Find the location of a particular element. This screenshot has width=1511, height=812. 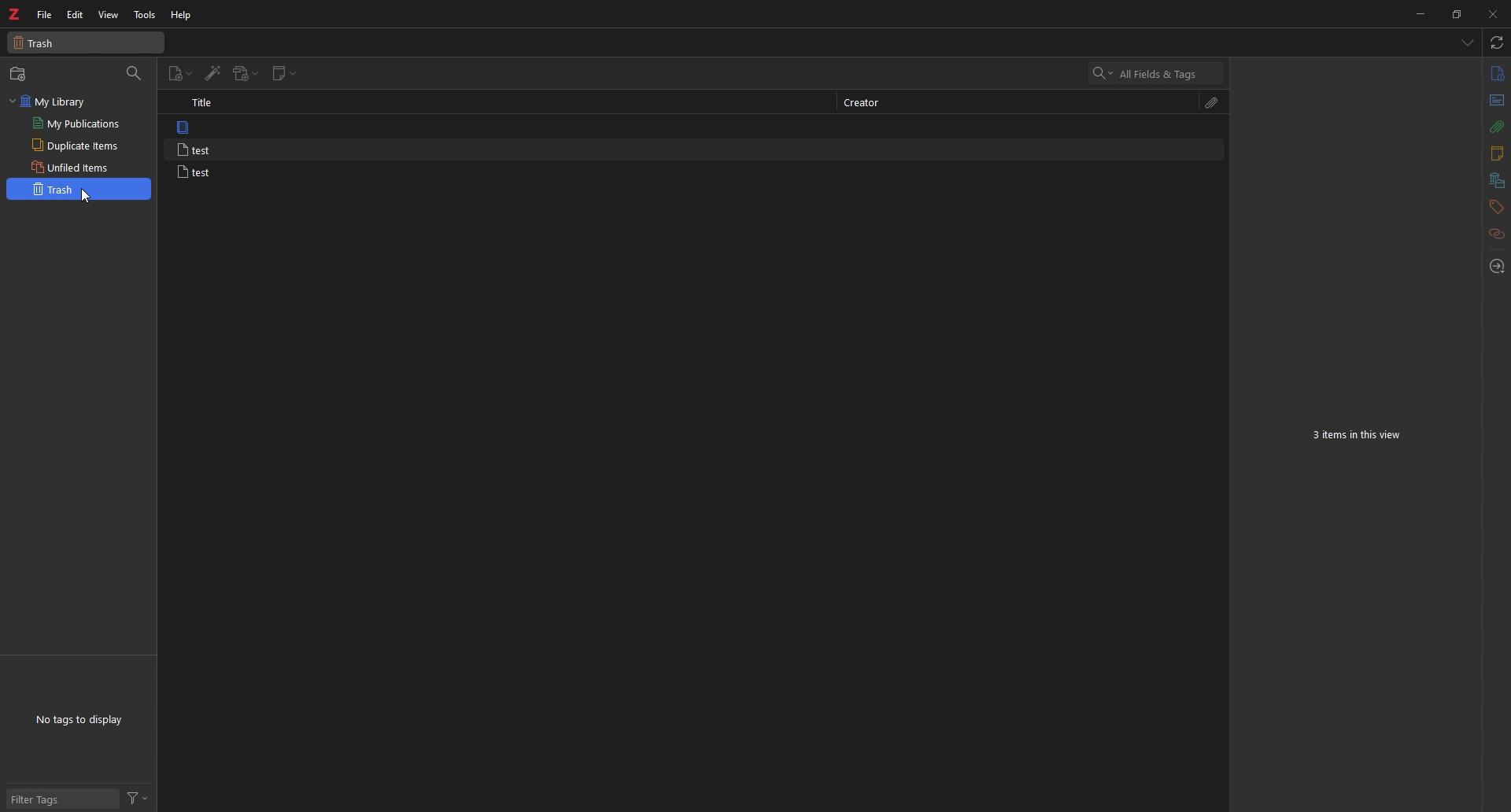

resize is located at coordinates (1455, 14).